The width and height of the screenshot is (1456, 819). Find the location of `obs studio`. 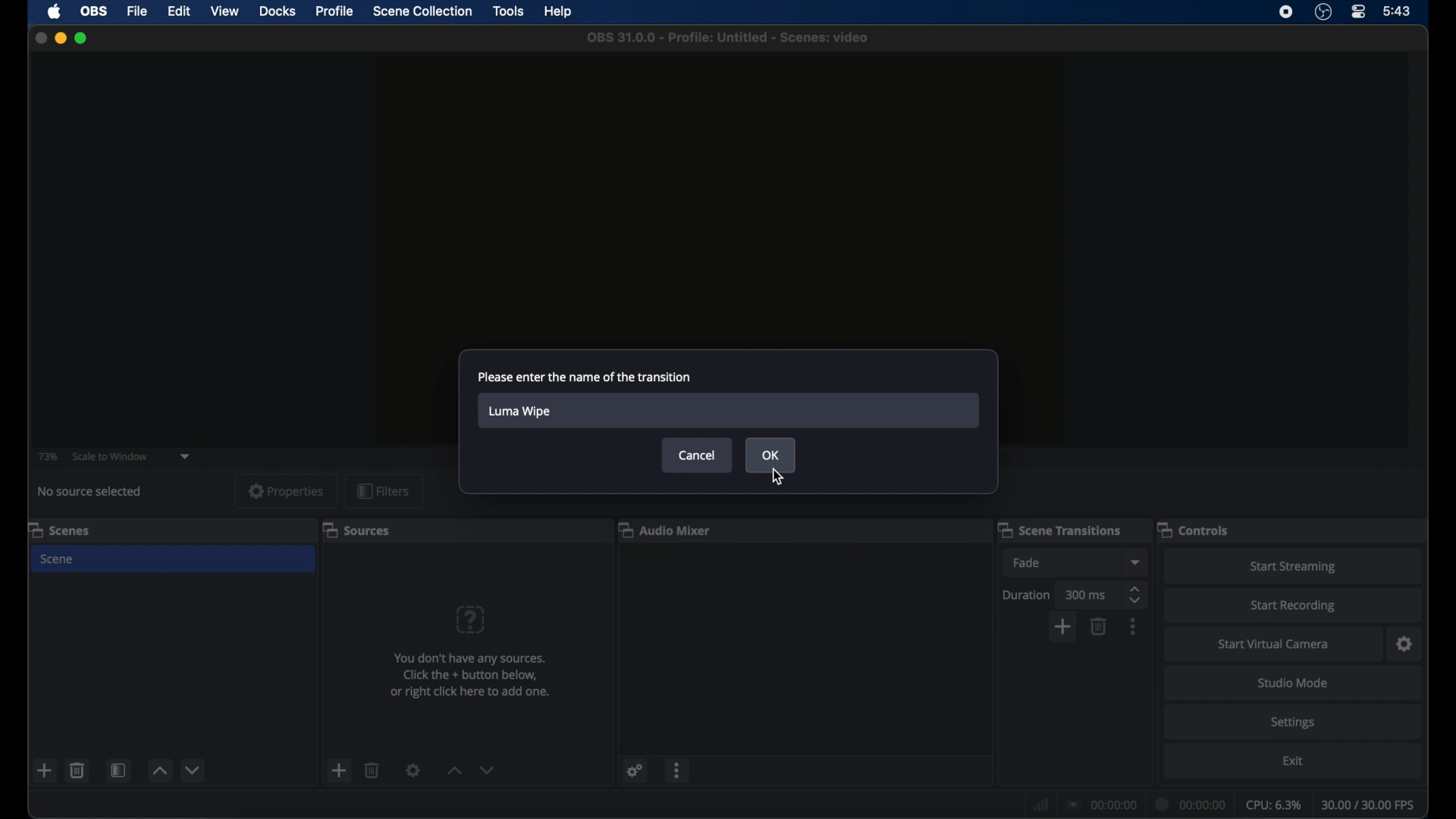

obs studio is located at coordinates (1323, 12).